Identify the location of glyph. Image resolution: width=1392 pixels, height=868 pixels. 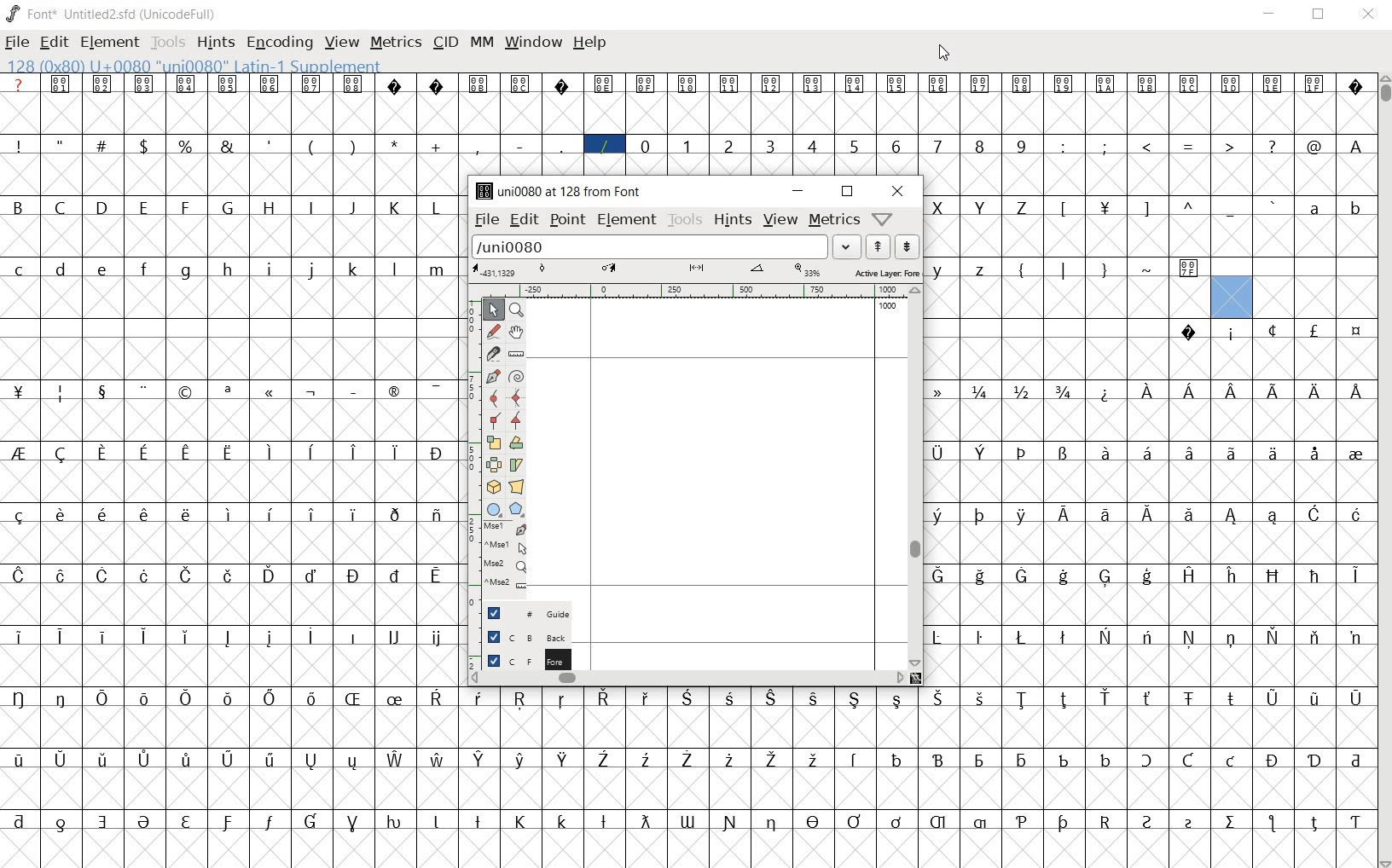
(393, 269).